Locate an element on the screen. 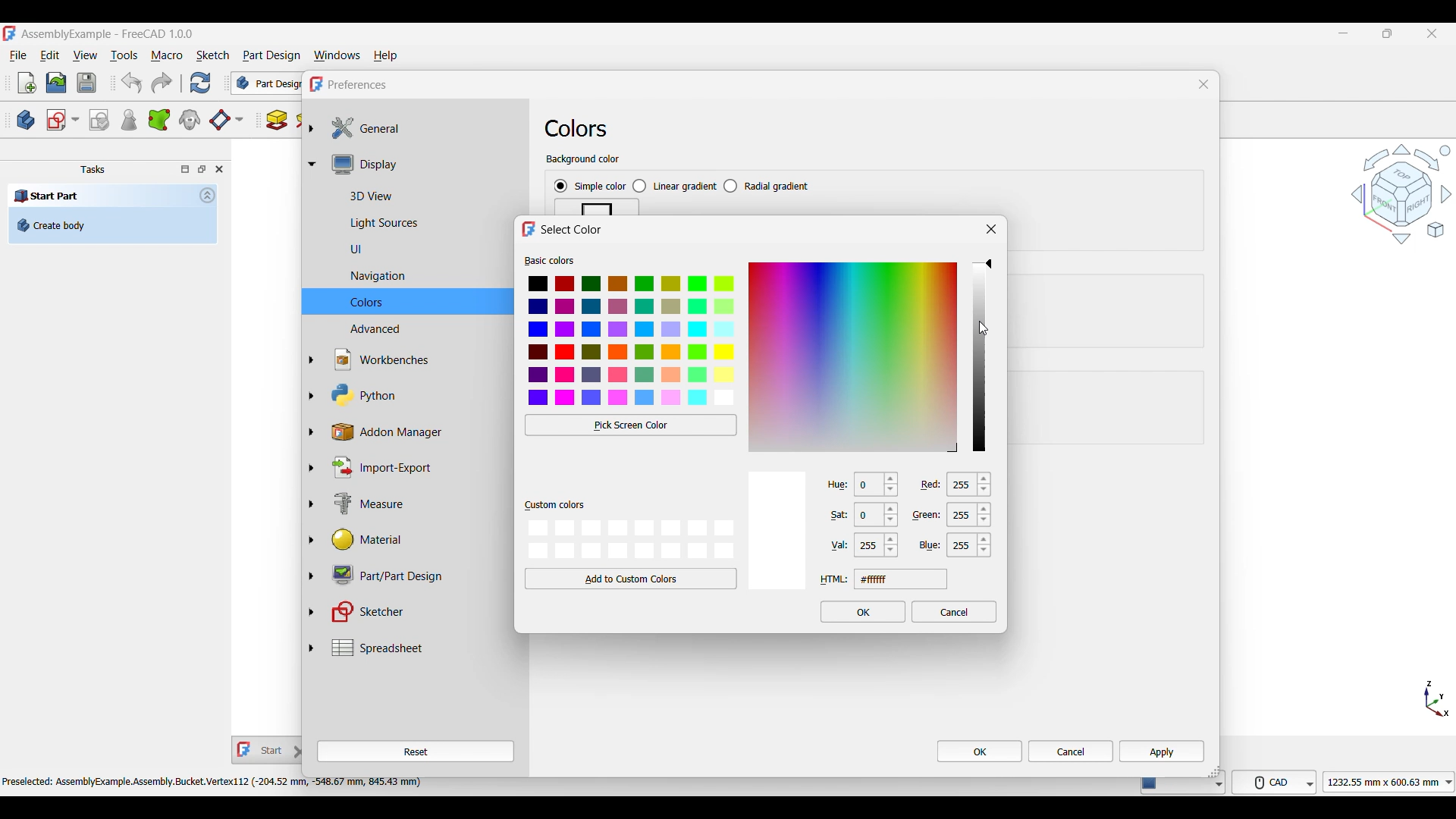  hue is located at coordinates (833, 484).